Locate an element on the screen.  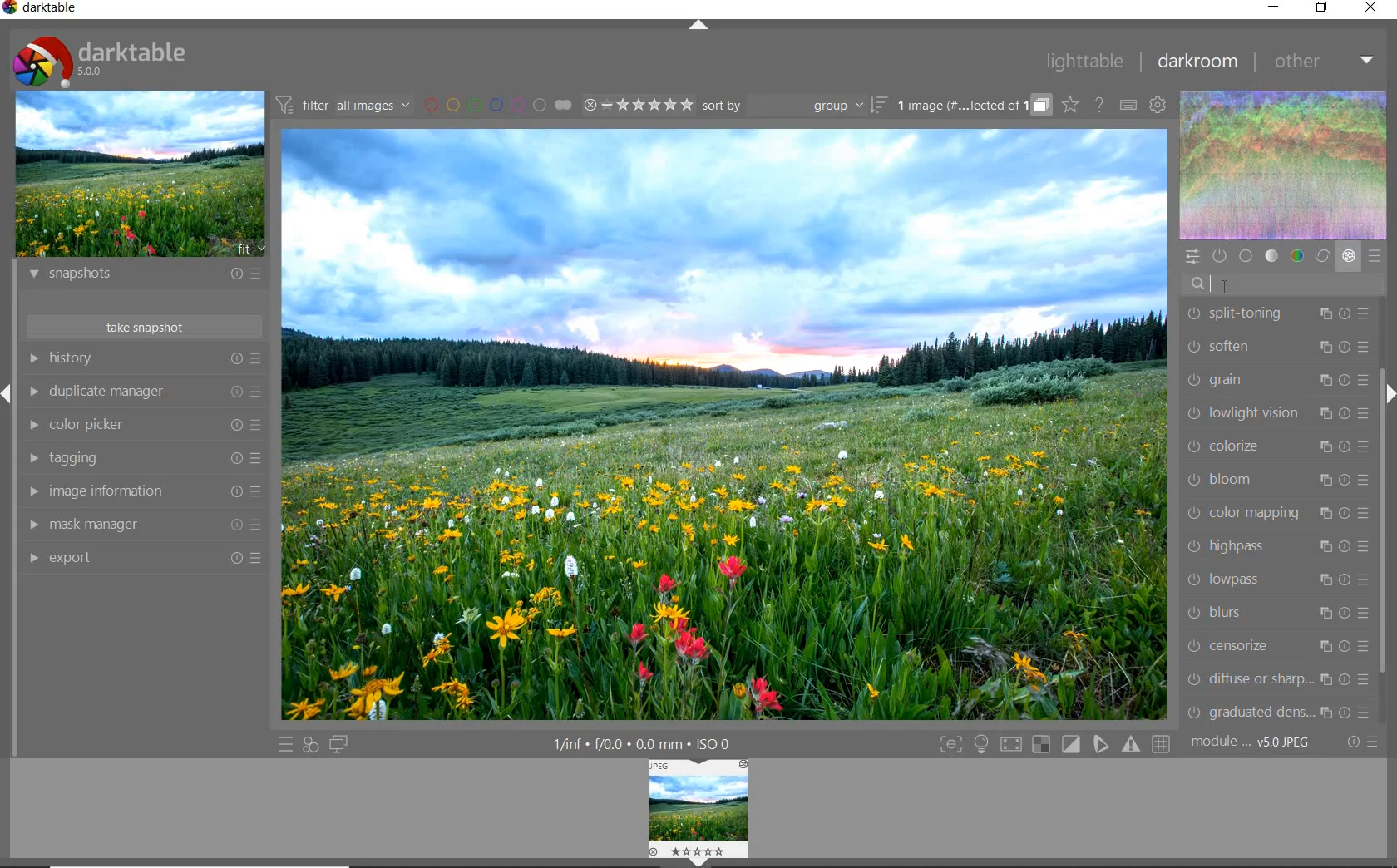
correct is located at coordinates (1322, 255).